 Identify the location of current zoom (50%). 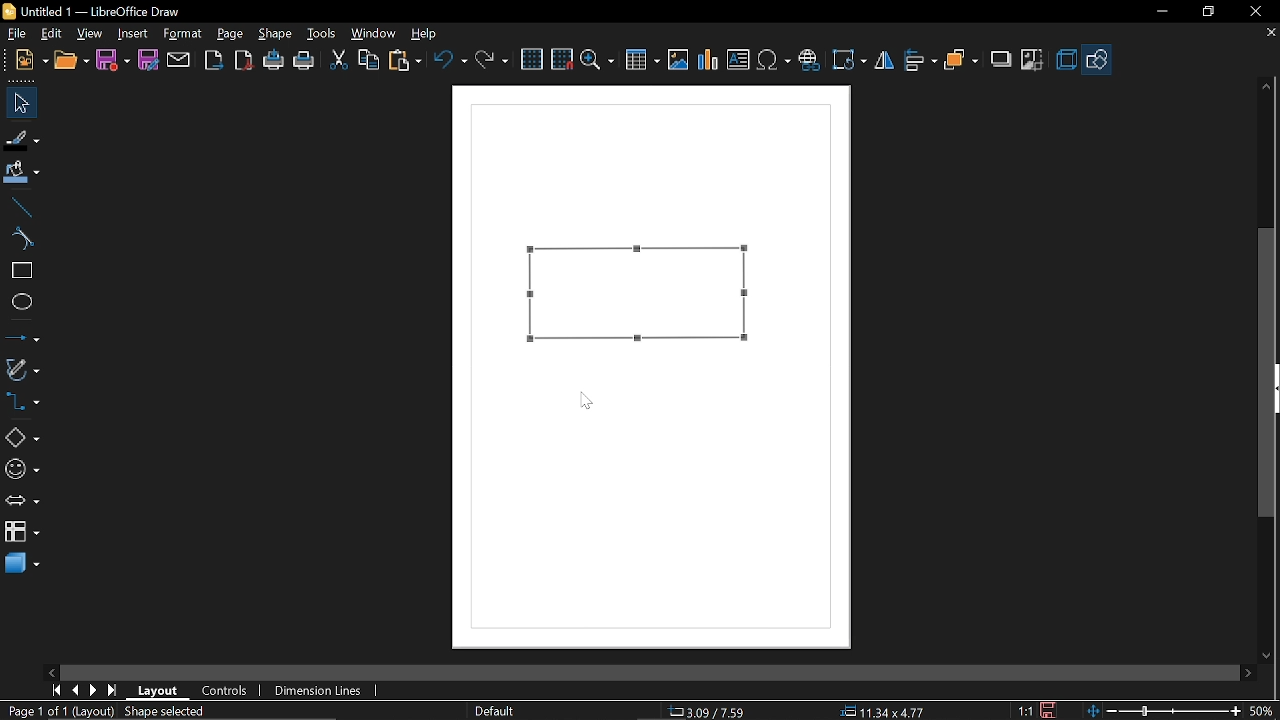
(1263, 711).